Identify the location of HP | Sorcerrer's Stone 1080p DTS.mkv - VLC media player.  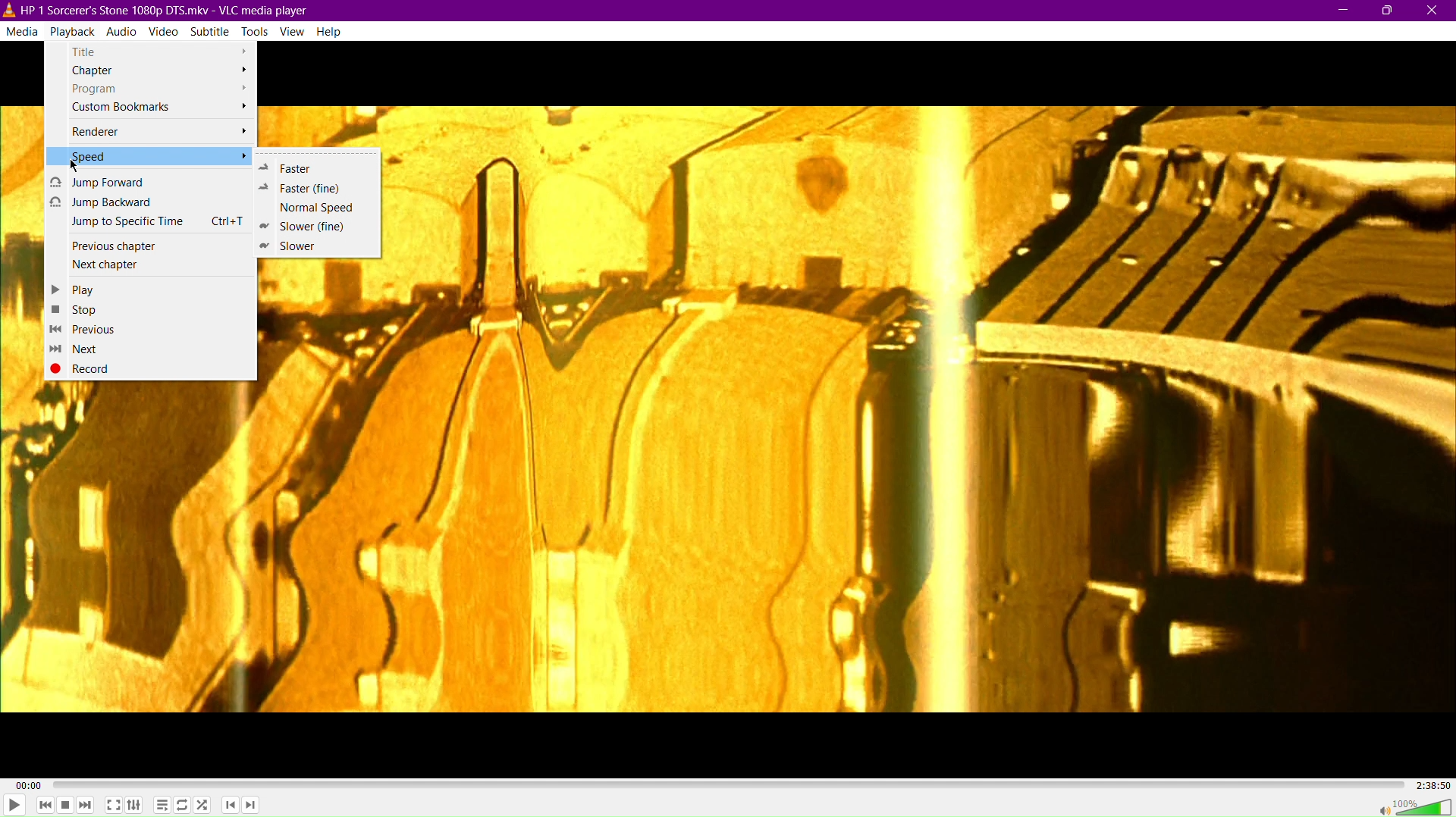
(161, 9).